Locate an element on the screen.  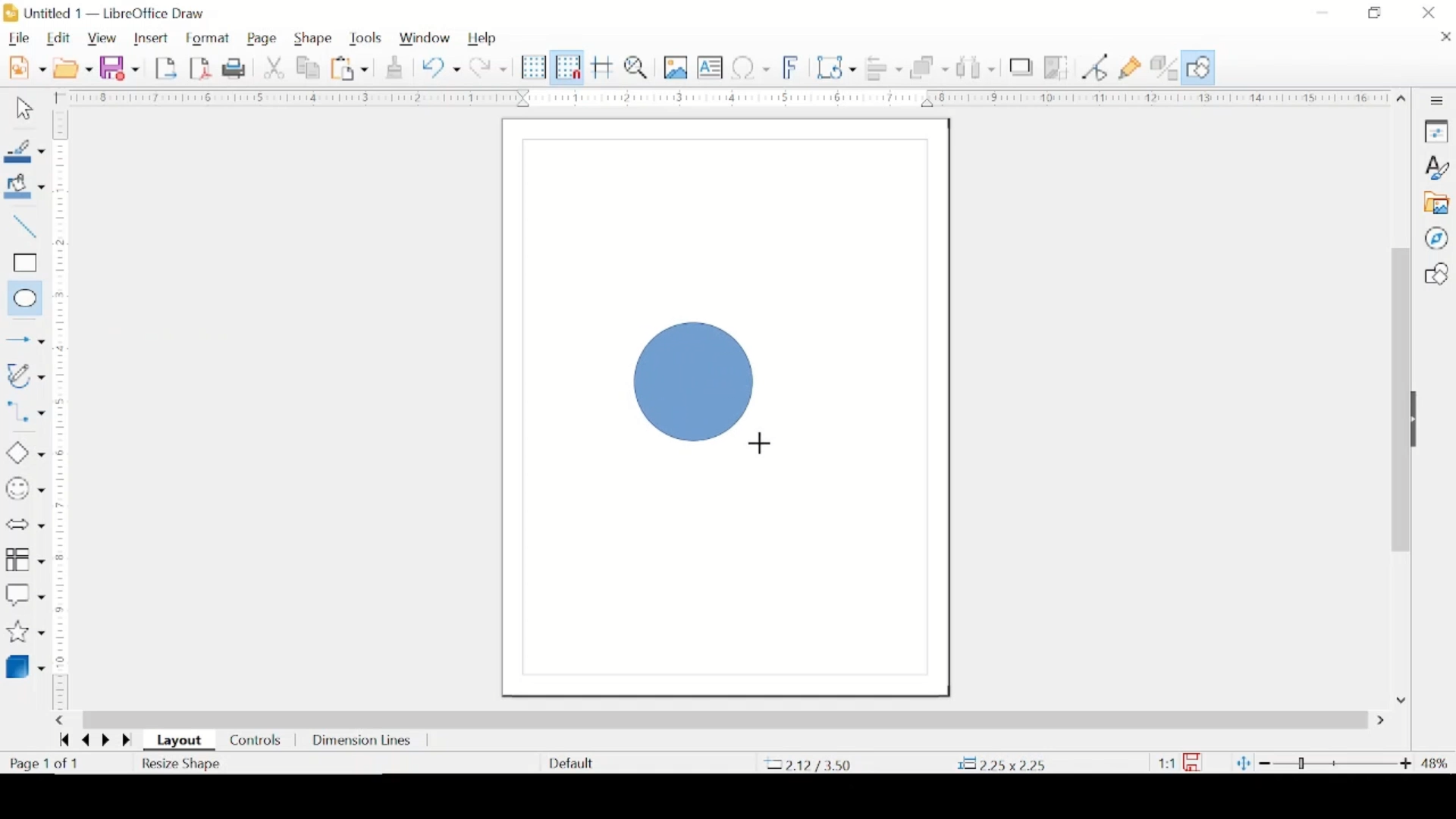
format is located at coordinates (210, 37).